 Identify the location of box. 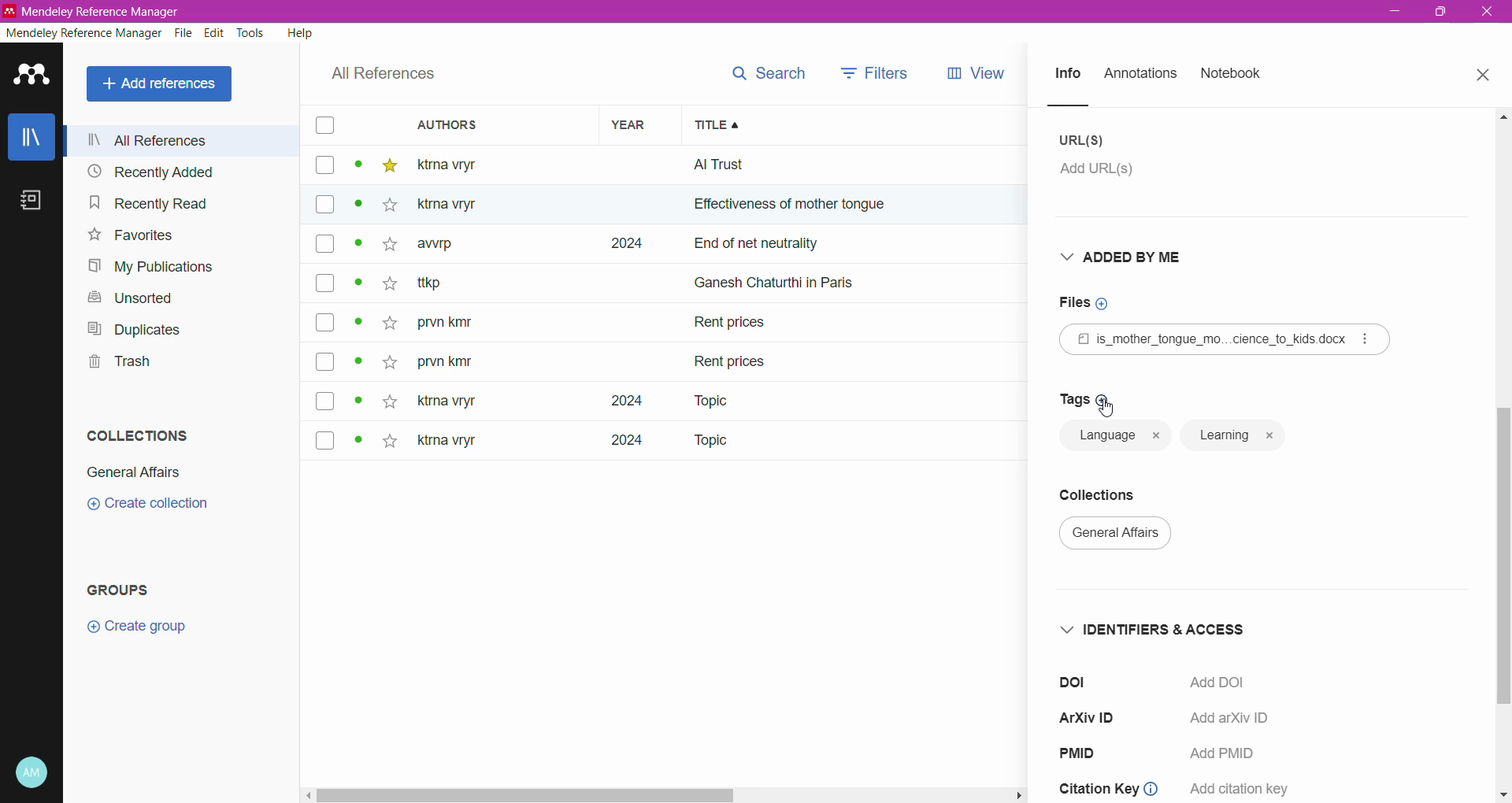
(326, 363).